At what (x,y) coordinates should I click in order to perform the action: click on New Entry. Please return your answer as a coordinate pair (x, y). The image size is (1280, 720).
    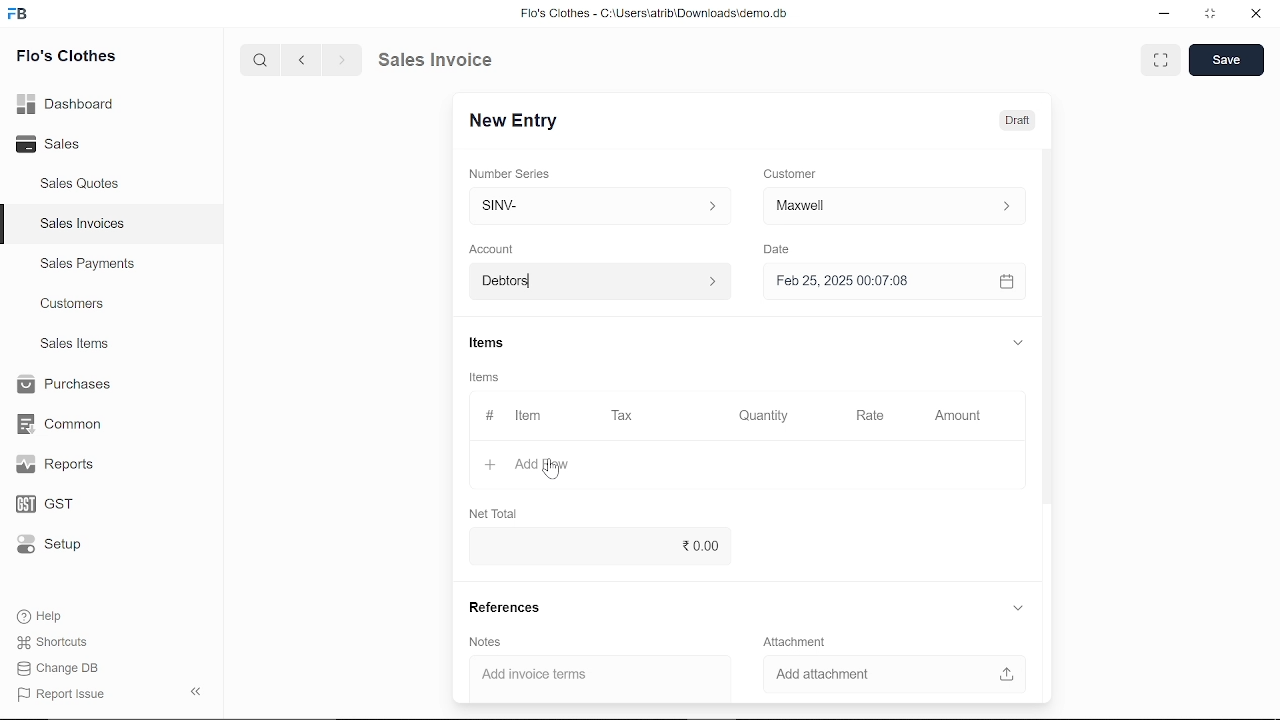
    Looking at the image, I should click on (515, 122).